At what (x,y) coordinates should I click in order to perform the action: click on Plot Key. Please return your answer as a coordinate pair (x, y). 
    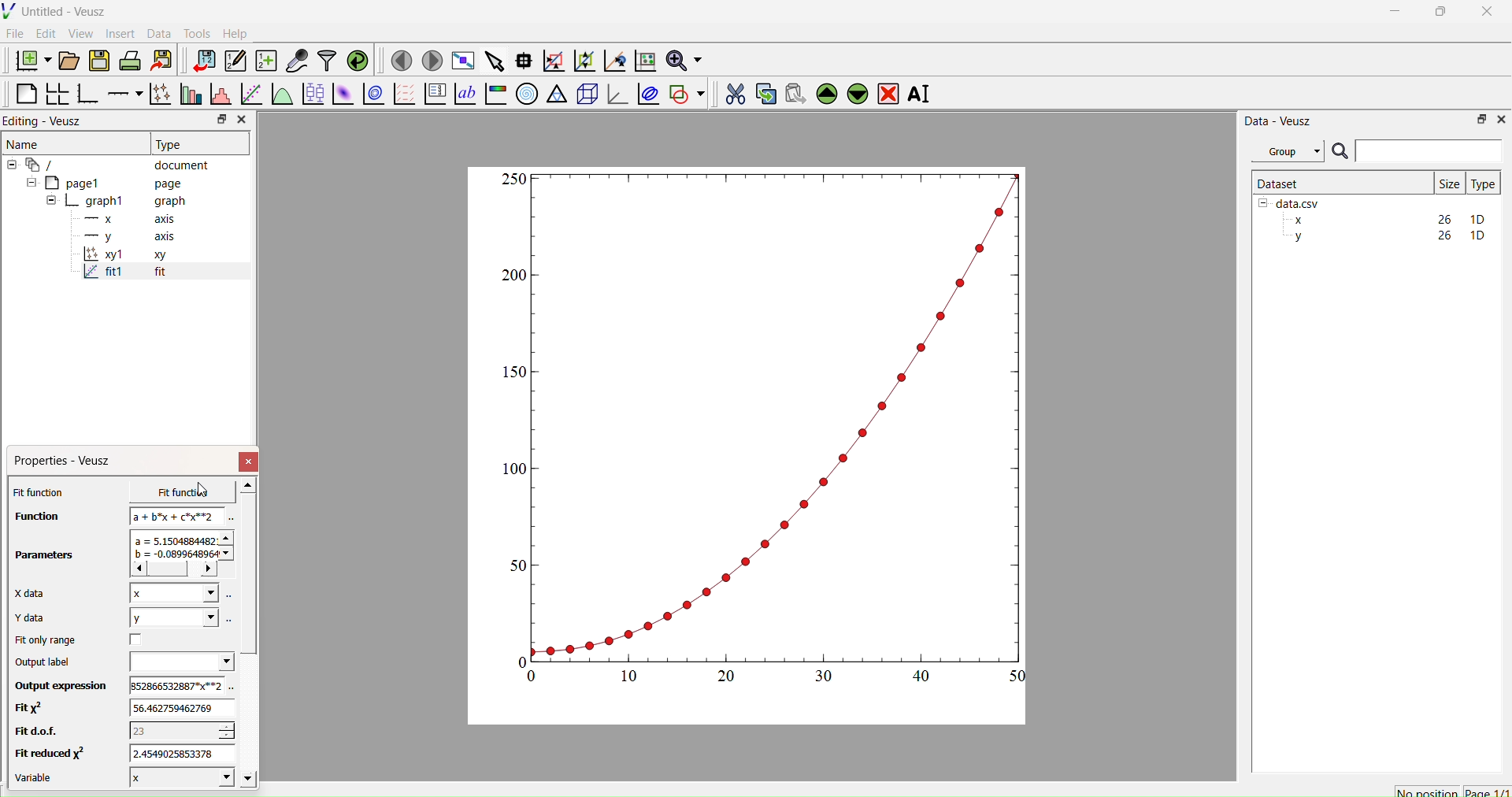
    Looking at the image, I should click on (435, 94).